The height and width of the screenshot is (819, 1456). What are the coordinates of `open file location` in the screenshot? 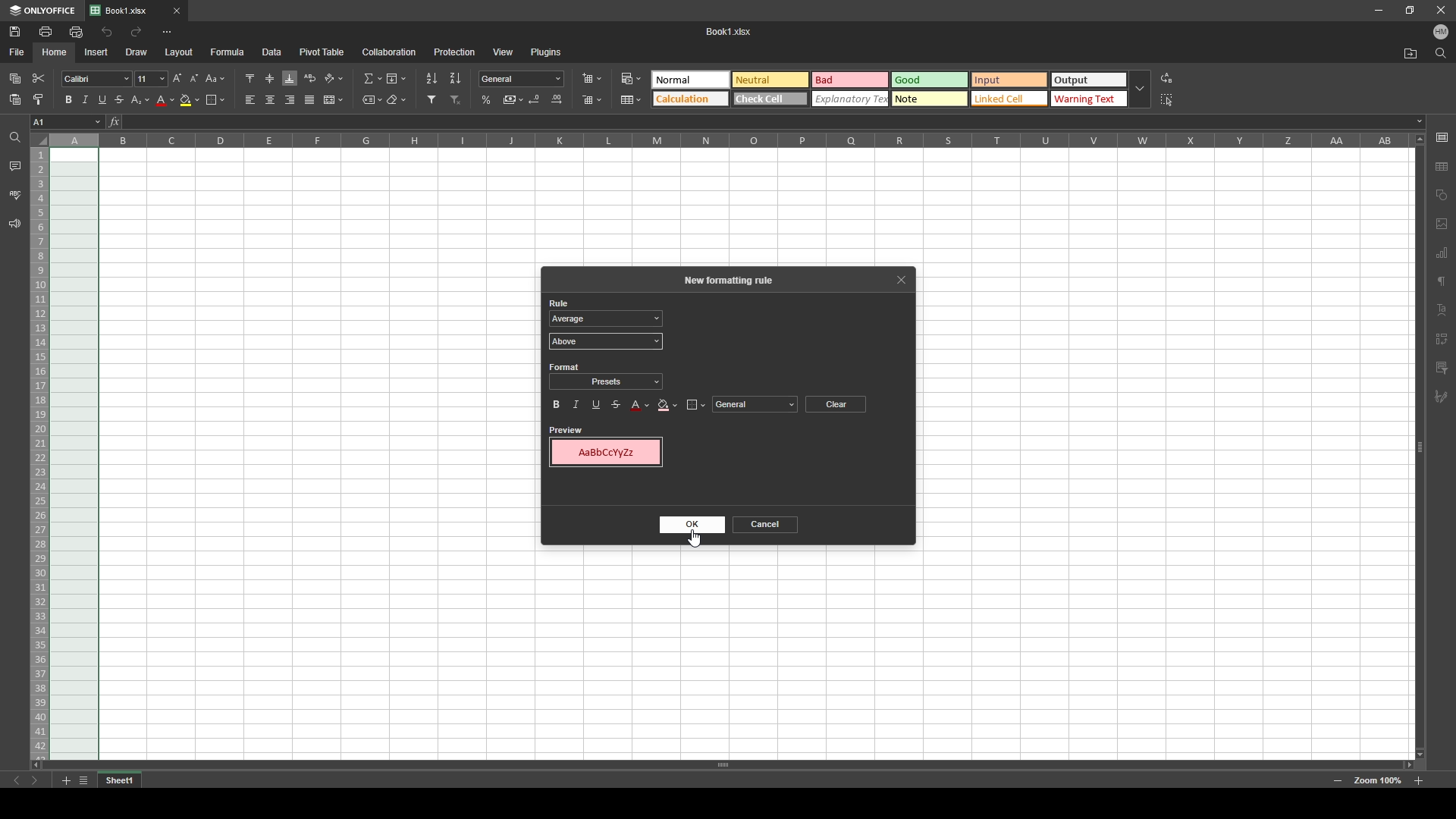 It's located at (1411, 55).